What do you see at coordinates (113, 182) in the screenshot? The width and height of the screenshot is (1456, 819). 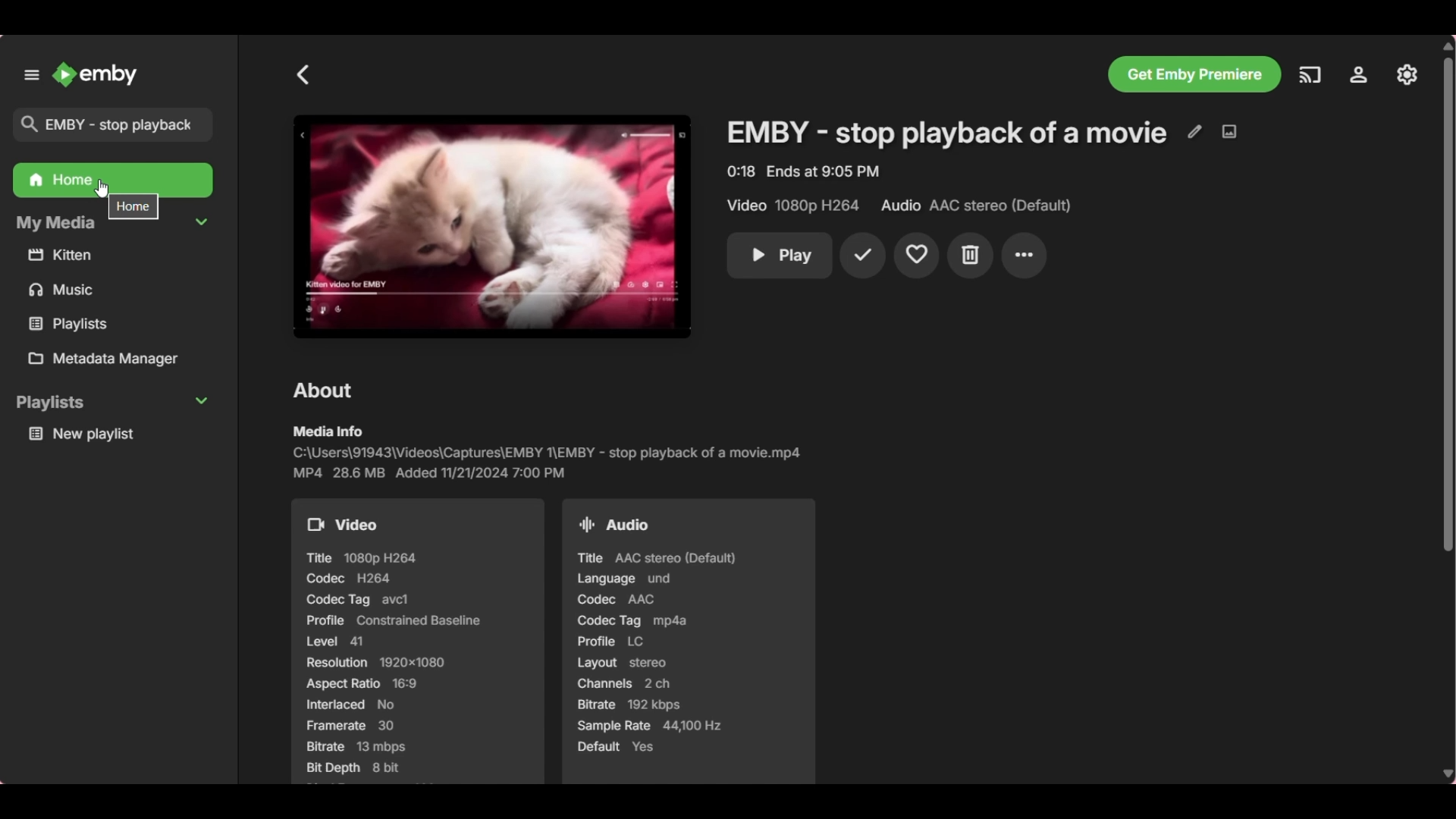 I see `Home` at bounding box center [113, 182].